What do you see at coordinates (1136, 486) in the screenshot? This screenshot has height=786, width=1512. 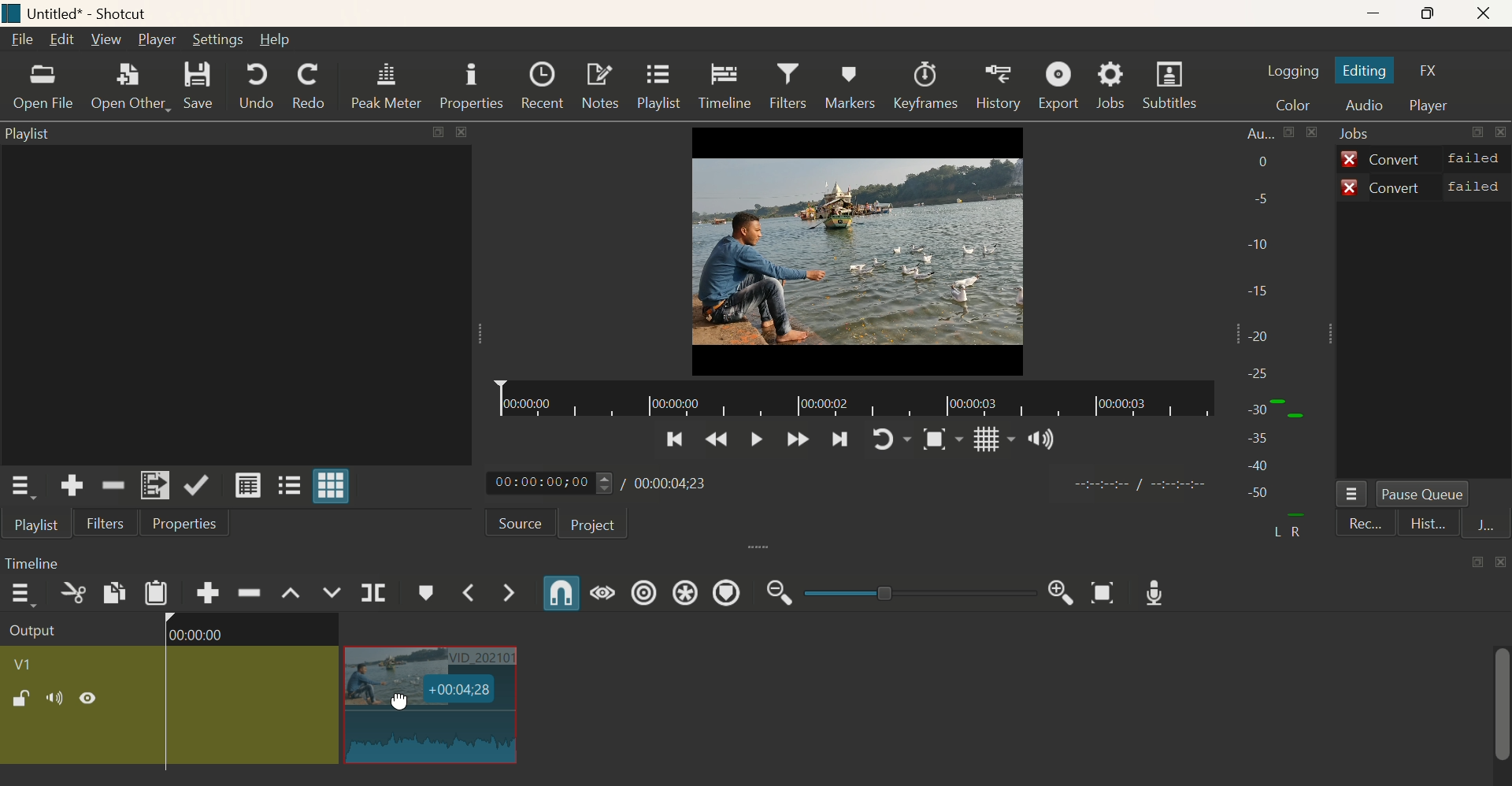 I see `time` at bounding box center [1136, 486].